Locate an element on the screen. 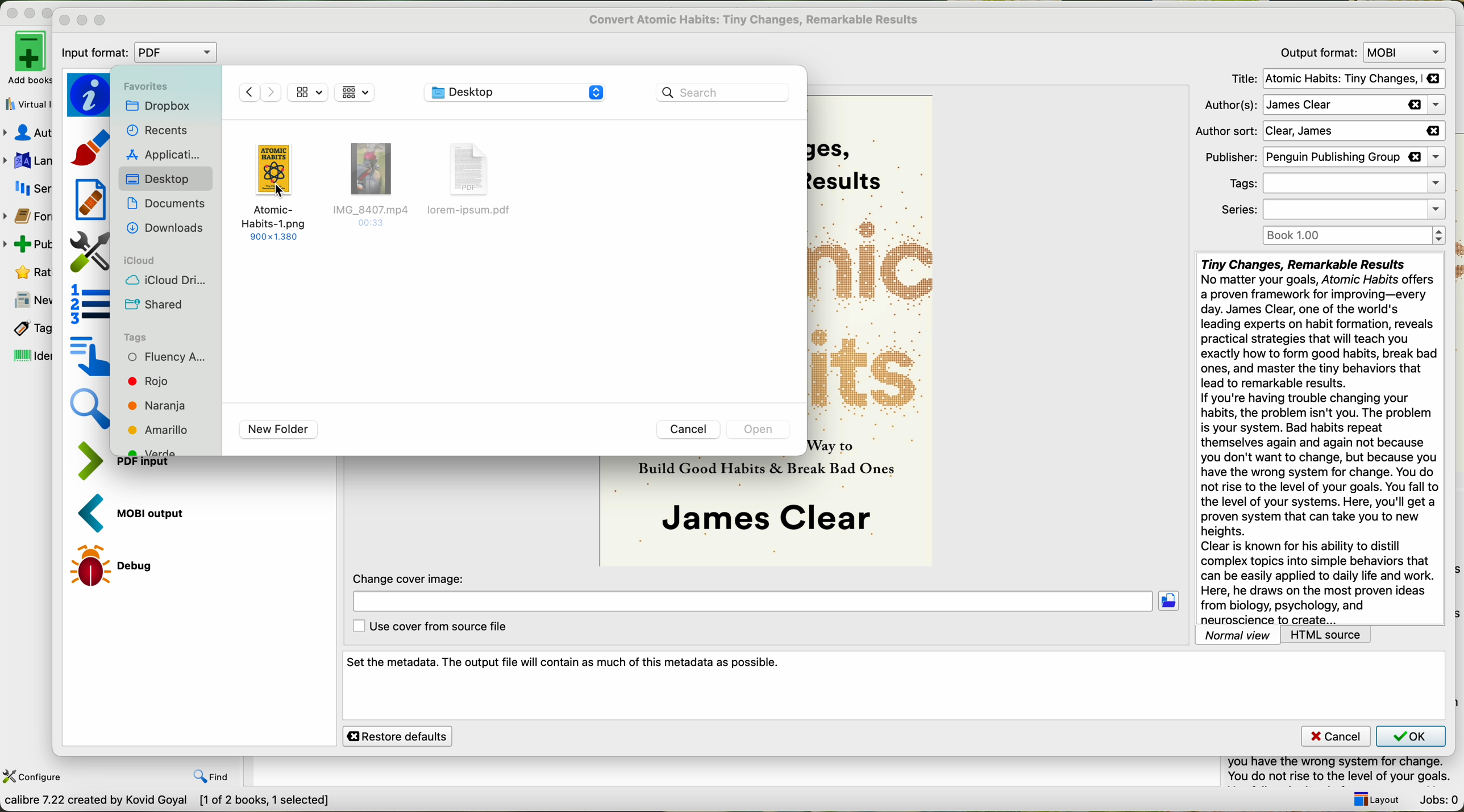  location is located at coordinates (751, 603).